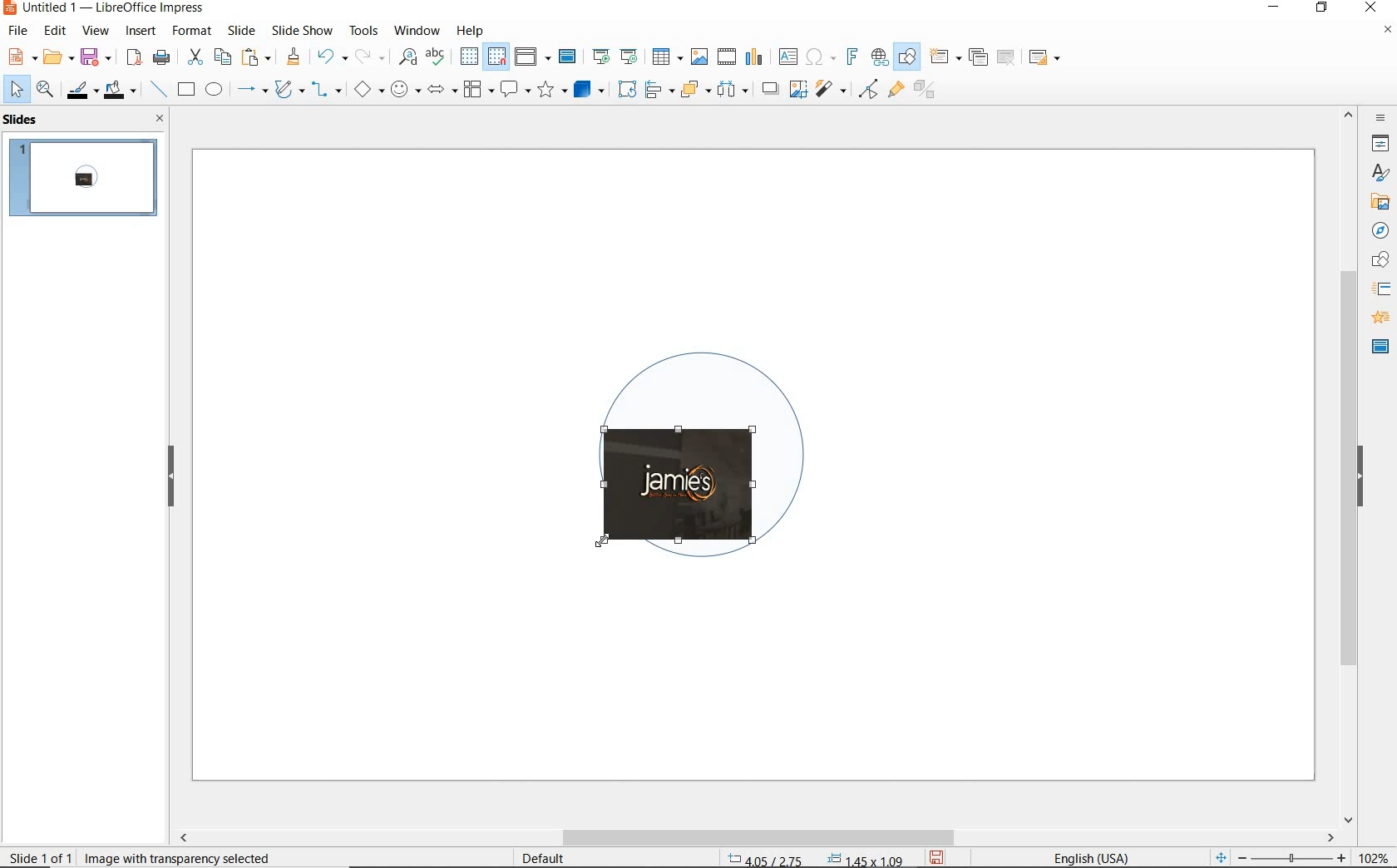 The height and width of the screenshot is (868, 1397). Describe the element at coordinates (769, 87) in the screenshot. I see `shadow` at that location.